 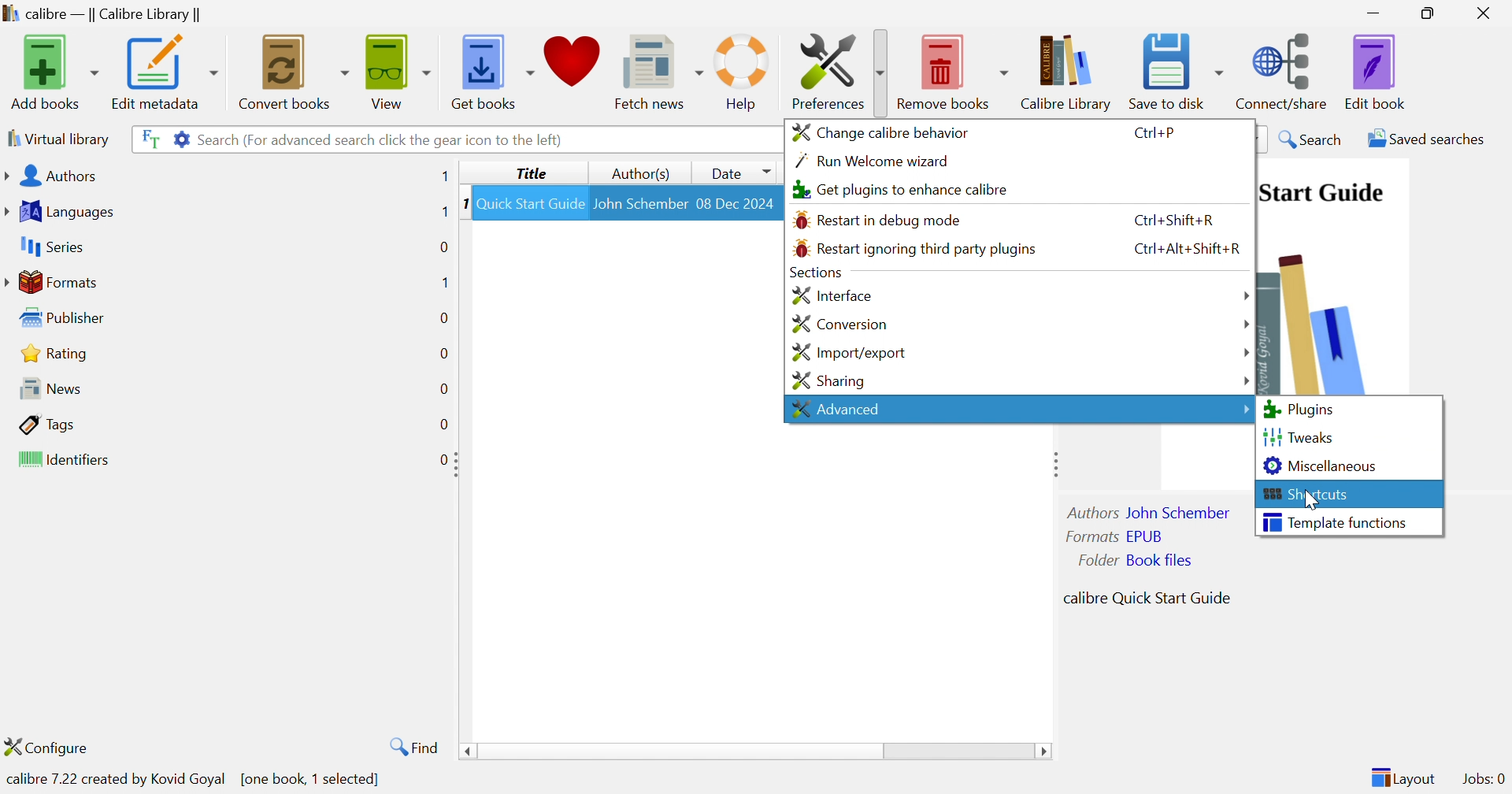 What do you see at coordinates (830, 295) in the screenshot?
I see `Interface` at bounding box center [830, 295].